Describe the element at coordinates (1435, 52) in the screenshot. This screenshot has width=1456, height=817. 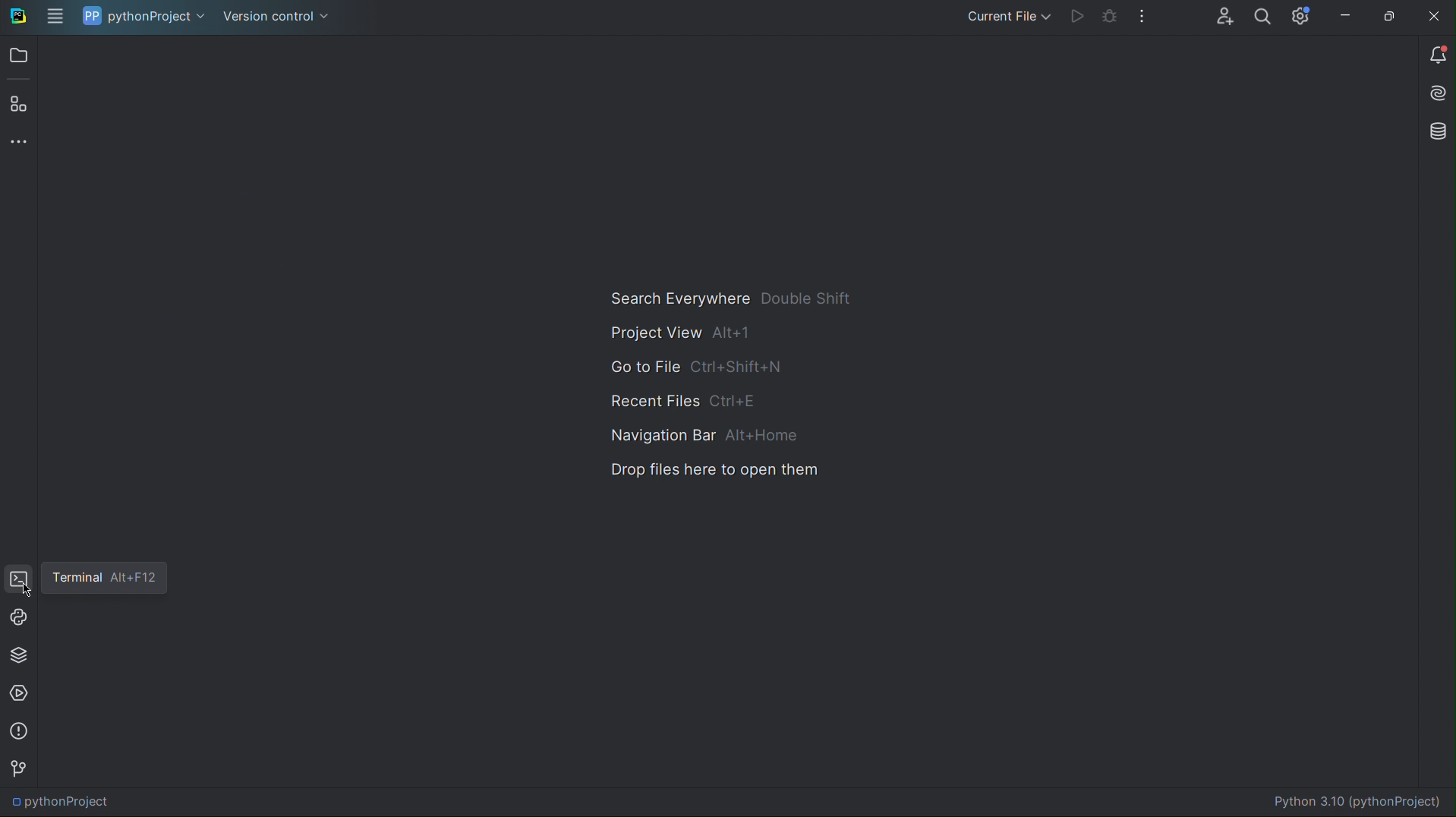
I see `Notifications` at that location.